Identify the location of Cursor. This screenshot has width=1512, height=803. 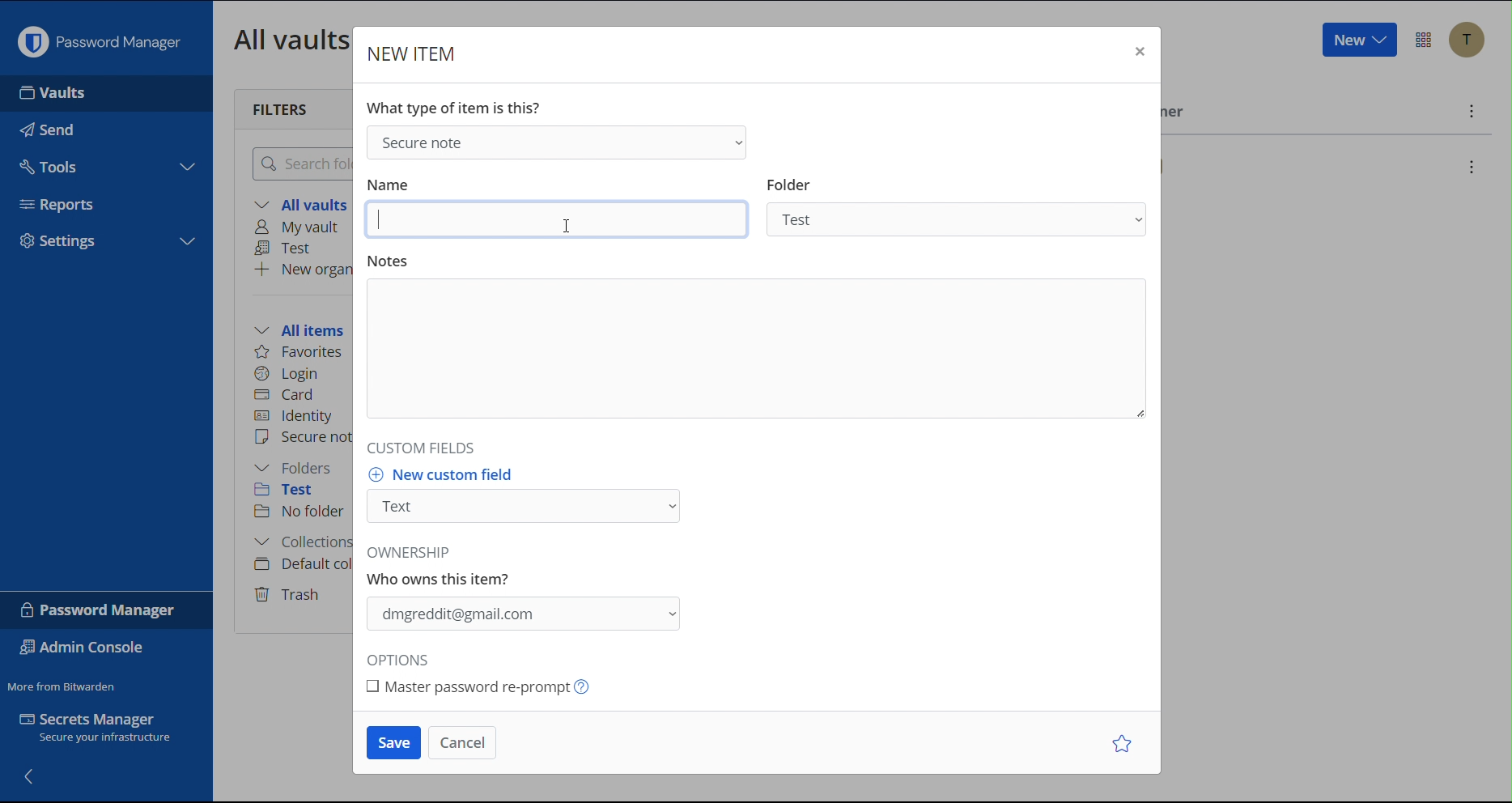
(565, 226).